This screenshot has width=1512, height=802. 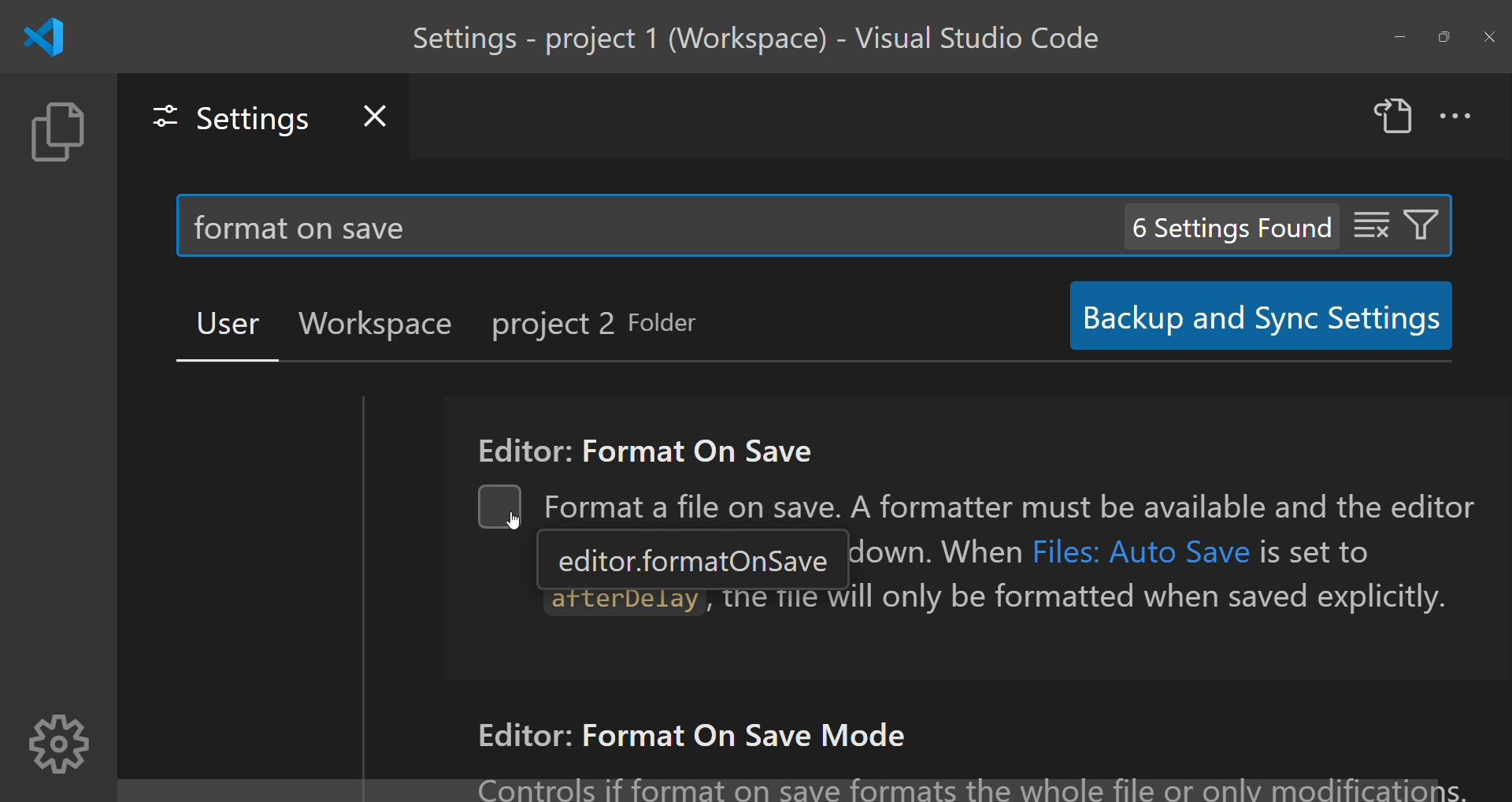 I want to click on Editor: format on save, so click(x=638, y=445).